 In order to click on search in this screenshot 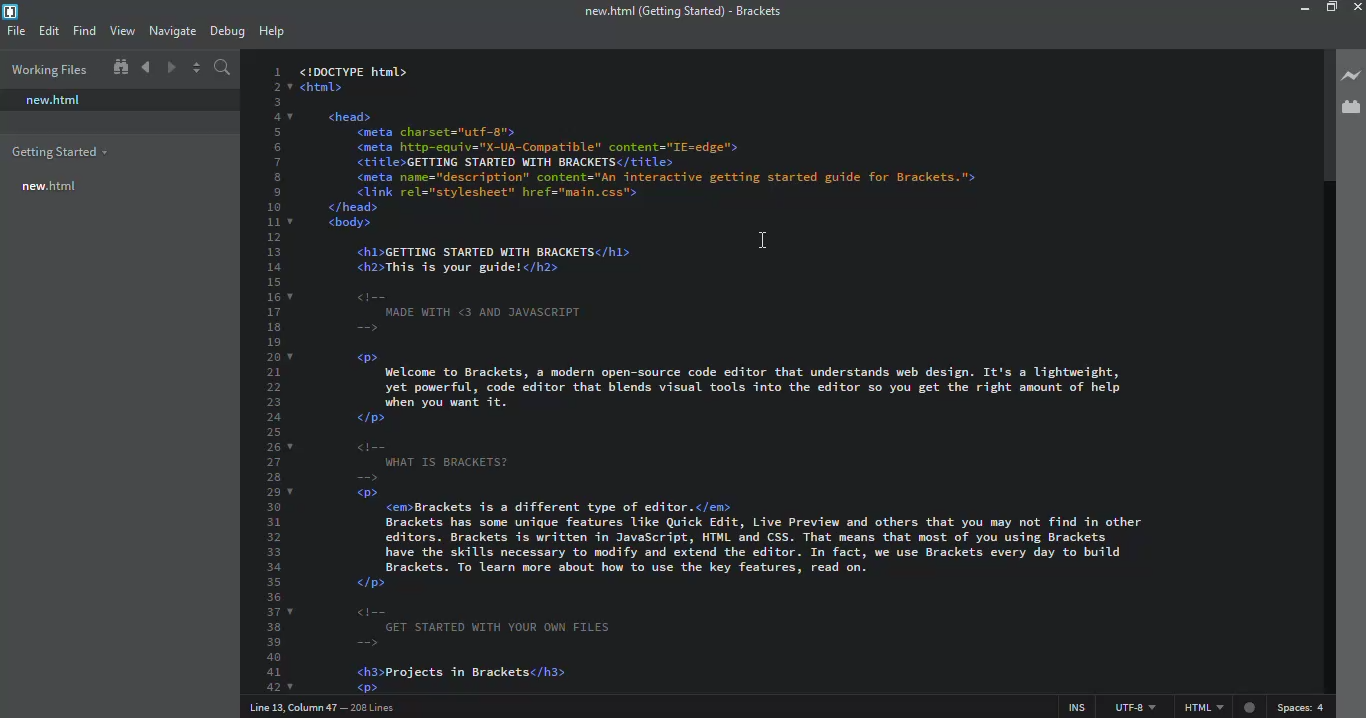, I will do `click(223, 68)`.